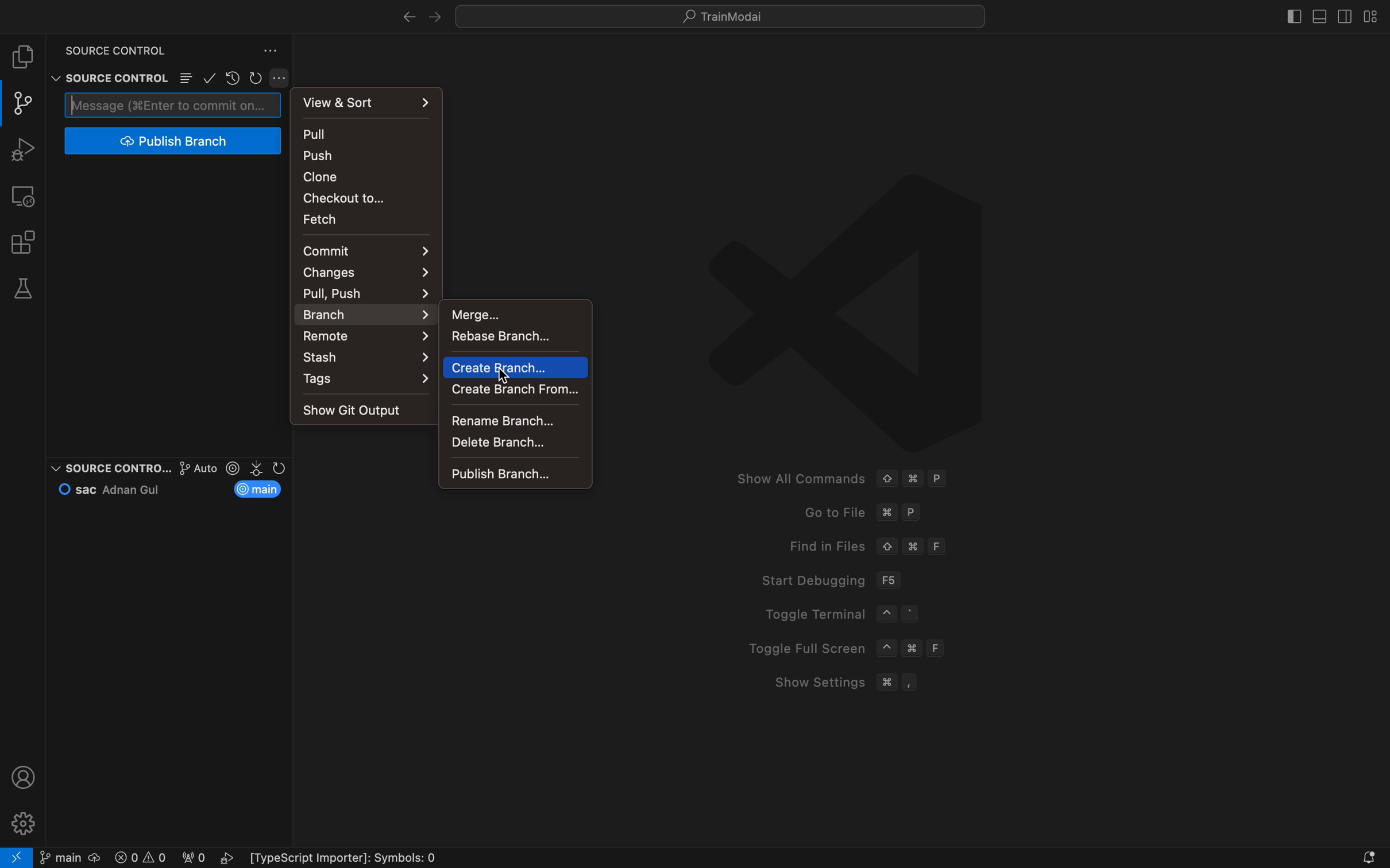 Image resolution: width=1390 pixels, height=868 pixels. Describe the element at coordinates (27, 149) in the screenshot. I see `debug` at that location.